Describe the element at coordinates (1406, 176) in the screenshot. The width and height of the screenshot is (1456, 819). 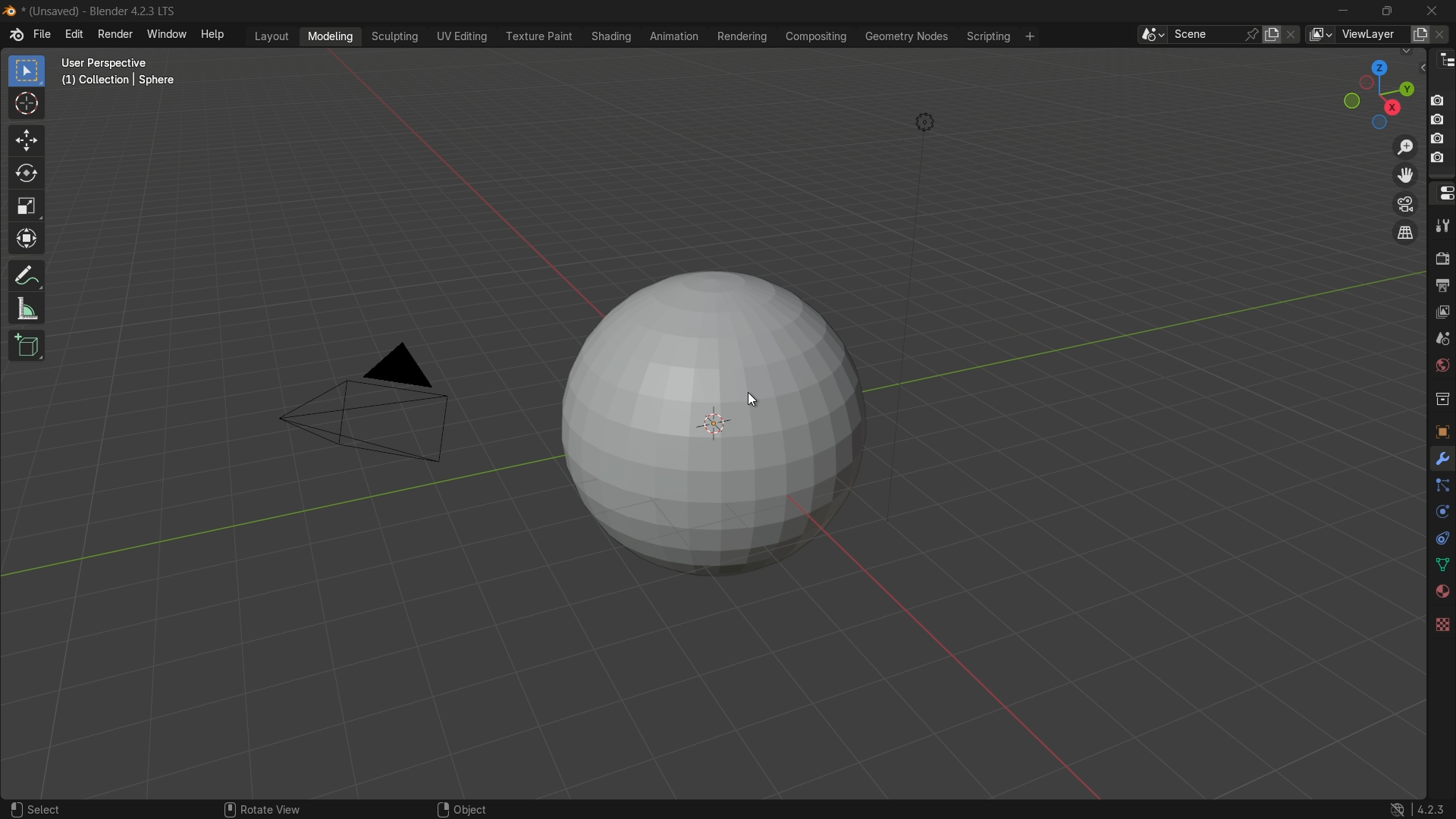
I see `move the view` at that location.